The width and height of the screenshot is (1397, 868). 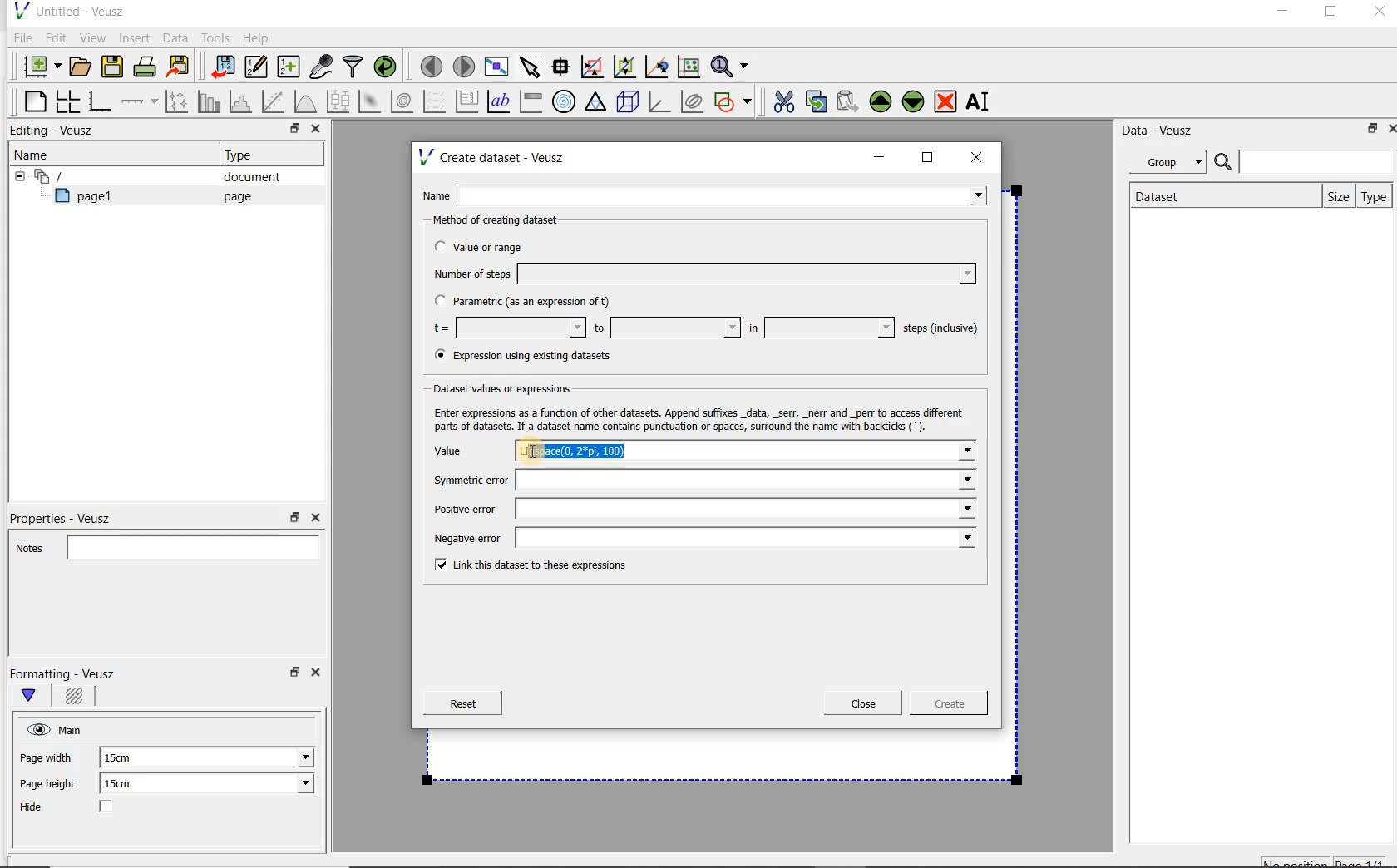 I want to click on Main formatting, so click(x=36, y=697).